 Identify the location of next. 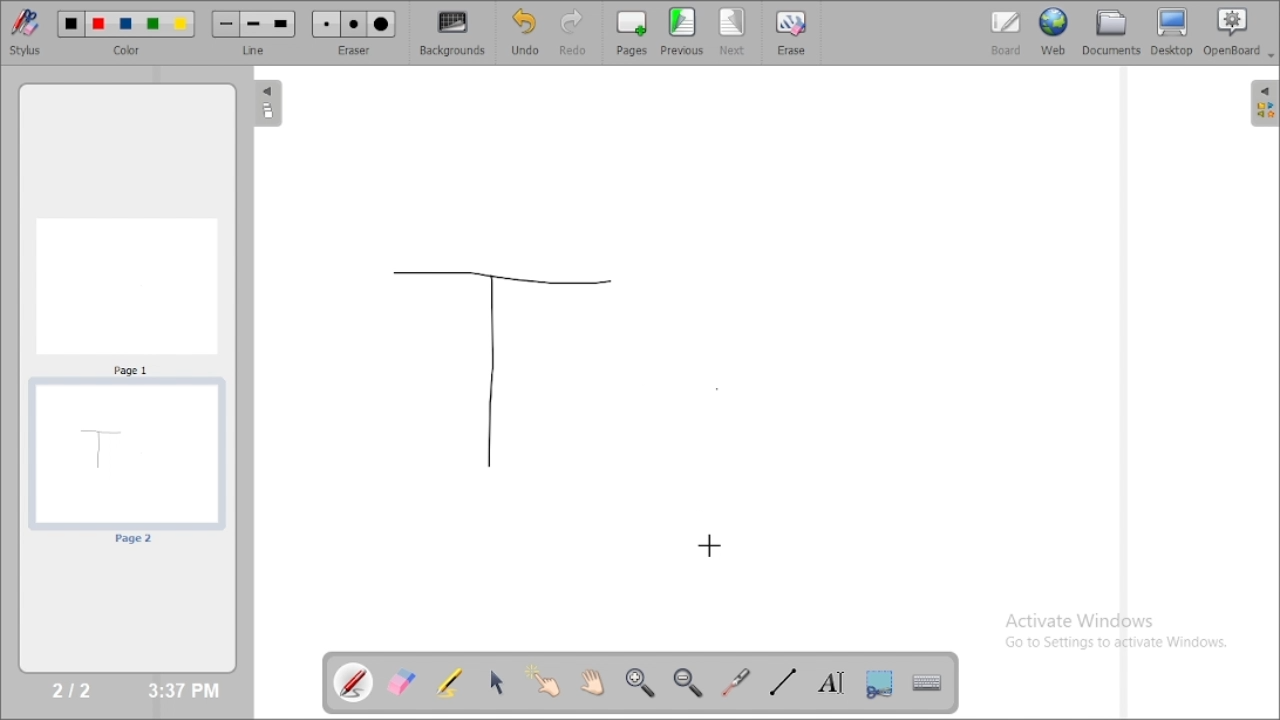
(733, 32).